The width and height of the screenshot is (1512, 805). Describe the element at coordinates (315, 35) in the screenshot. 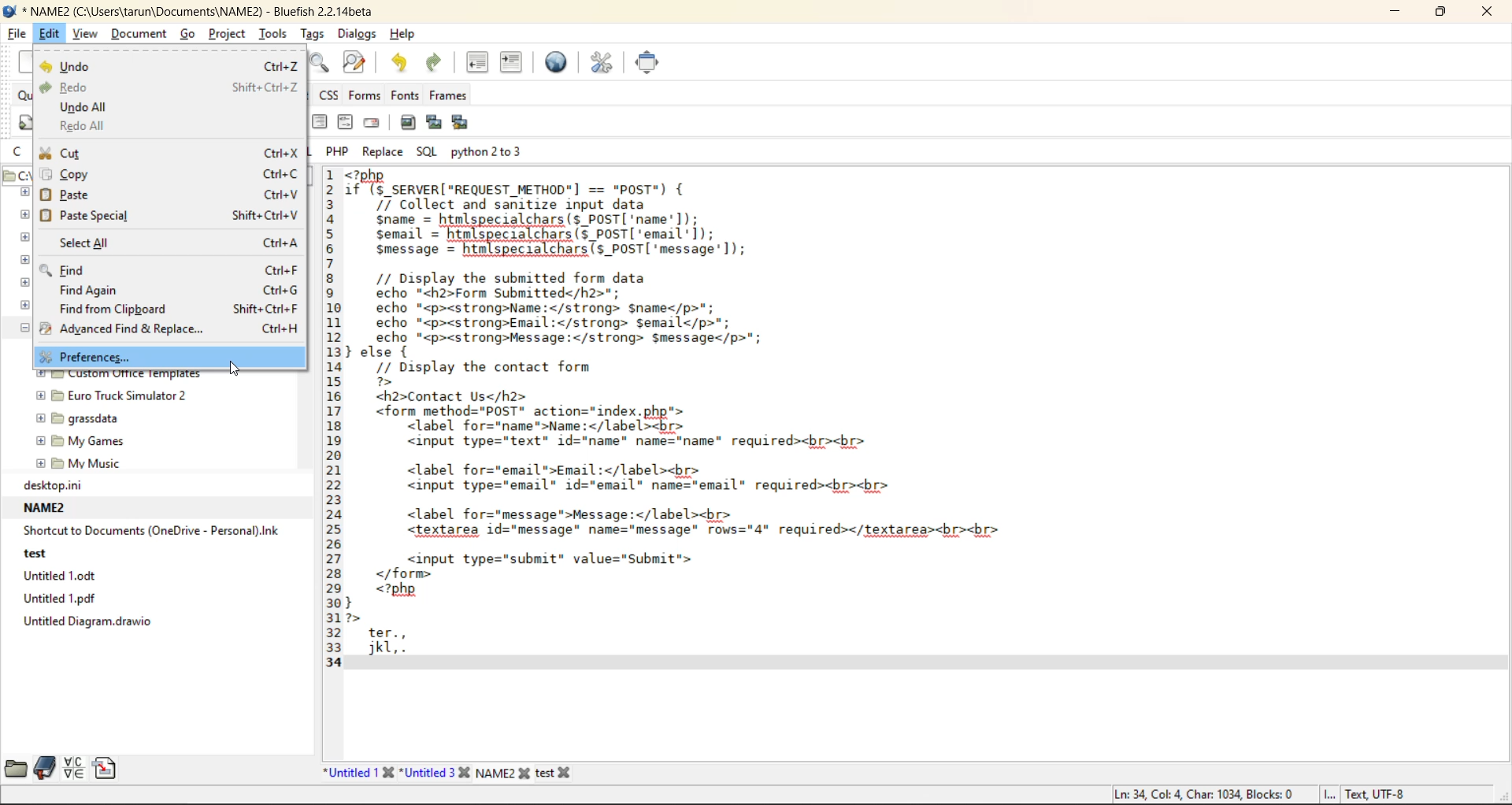

I see `tags` at that location.